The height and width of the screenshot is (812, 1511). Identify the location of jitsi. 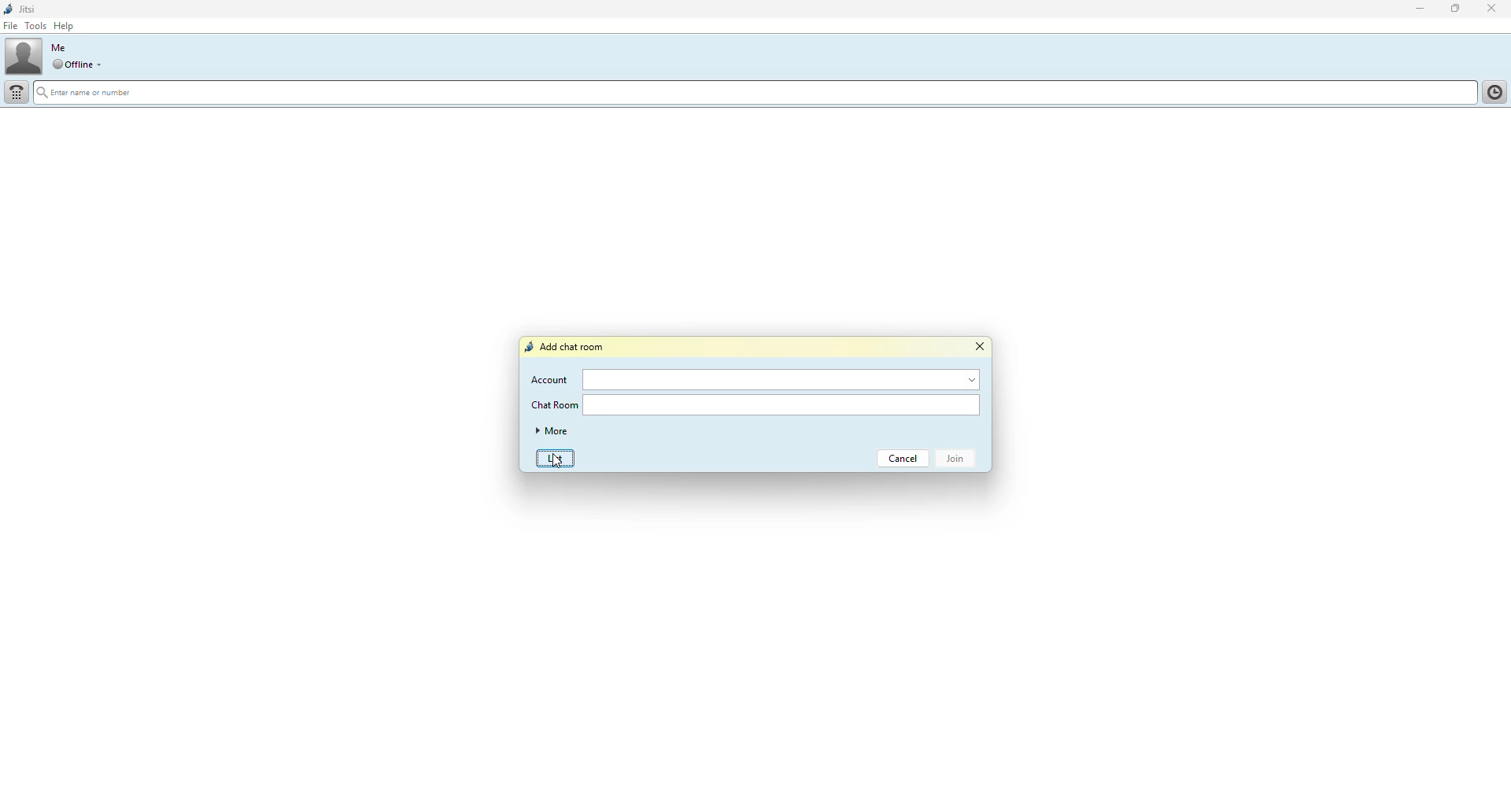
(21, 9).